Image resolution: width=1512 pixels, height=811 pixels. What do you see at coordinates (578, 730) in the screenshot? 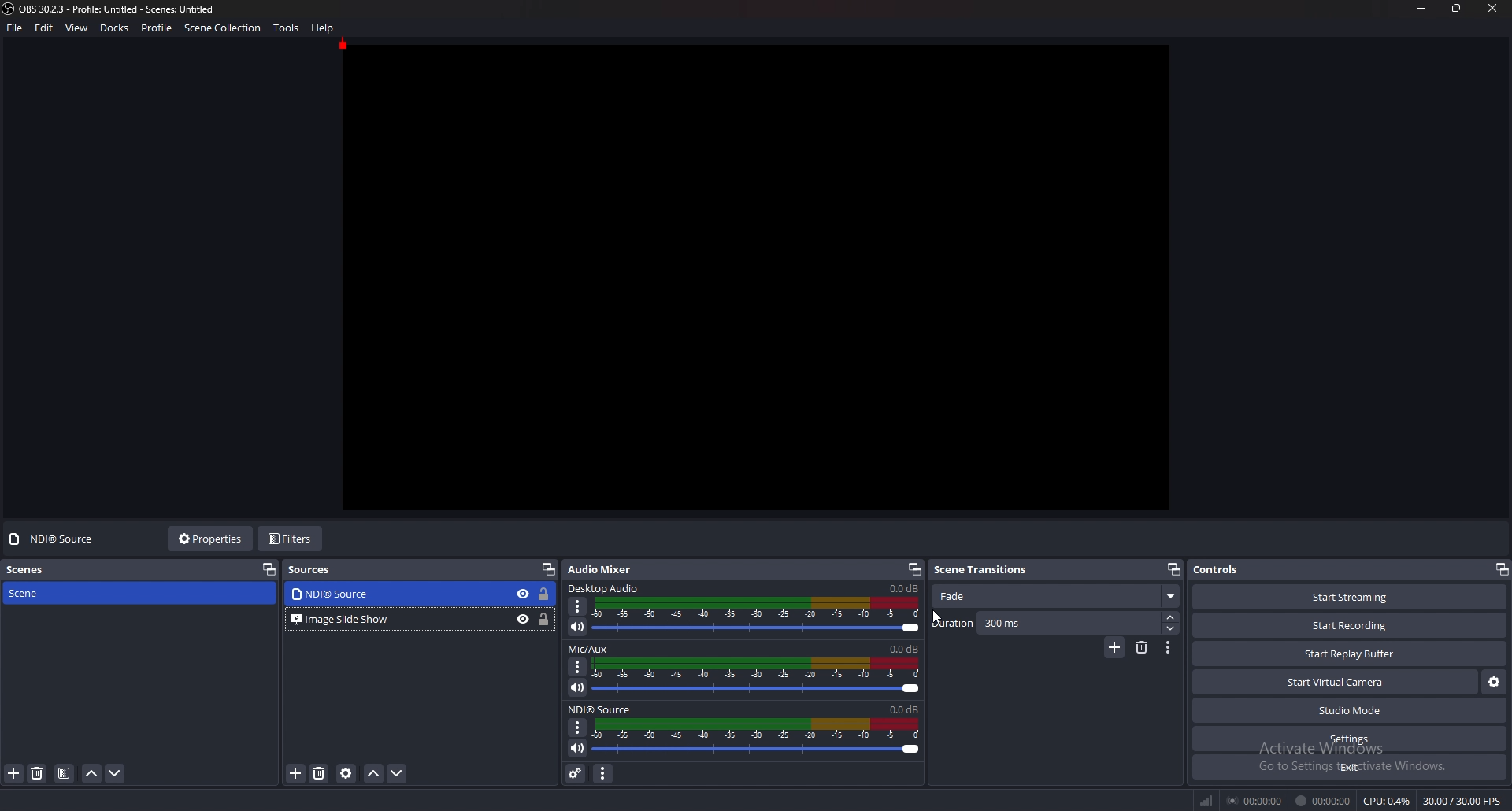
I see `Options` at bounding box center [578, 730].